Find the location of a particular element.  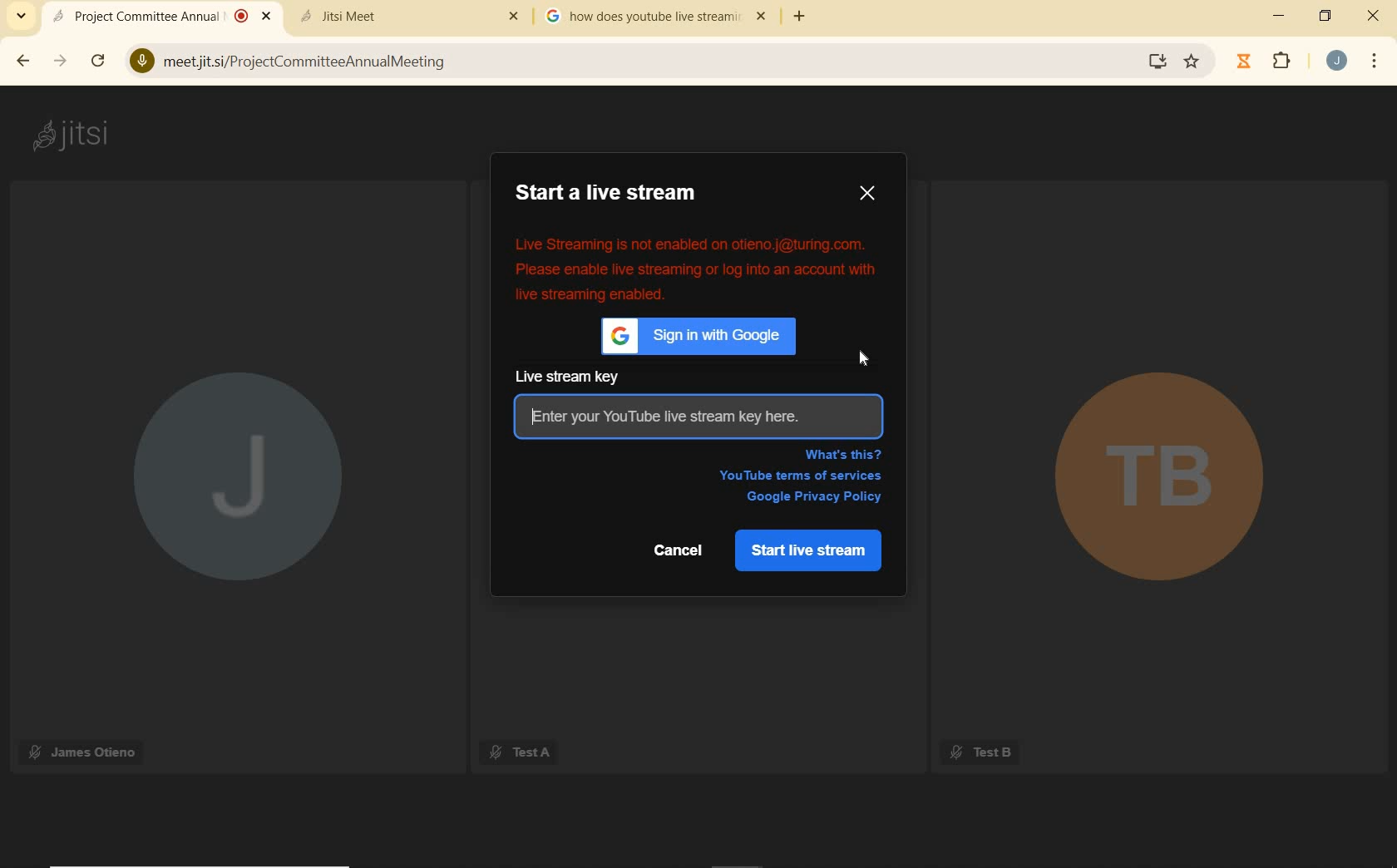

customize google chrome is located at coordinates (1379, 61).